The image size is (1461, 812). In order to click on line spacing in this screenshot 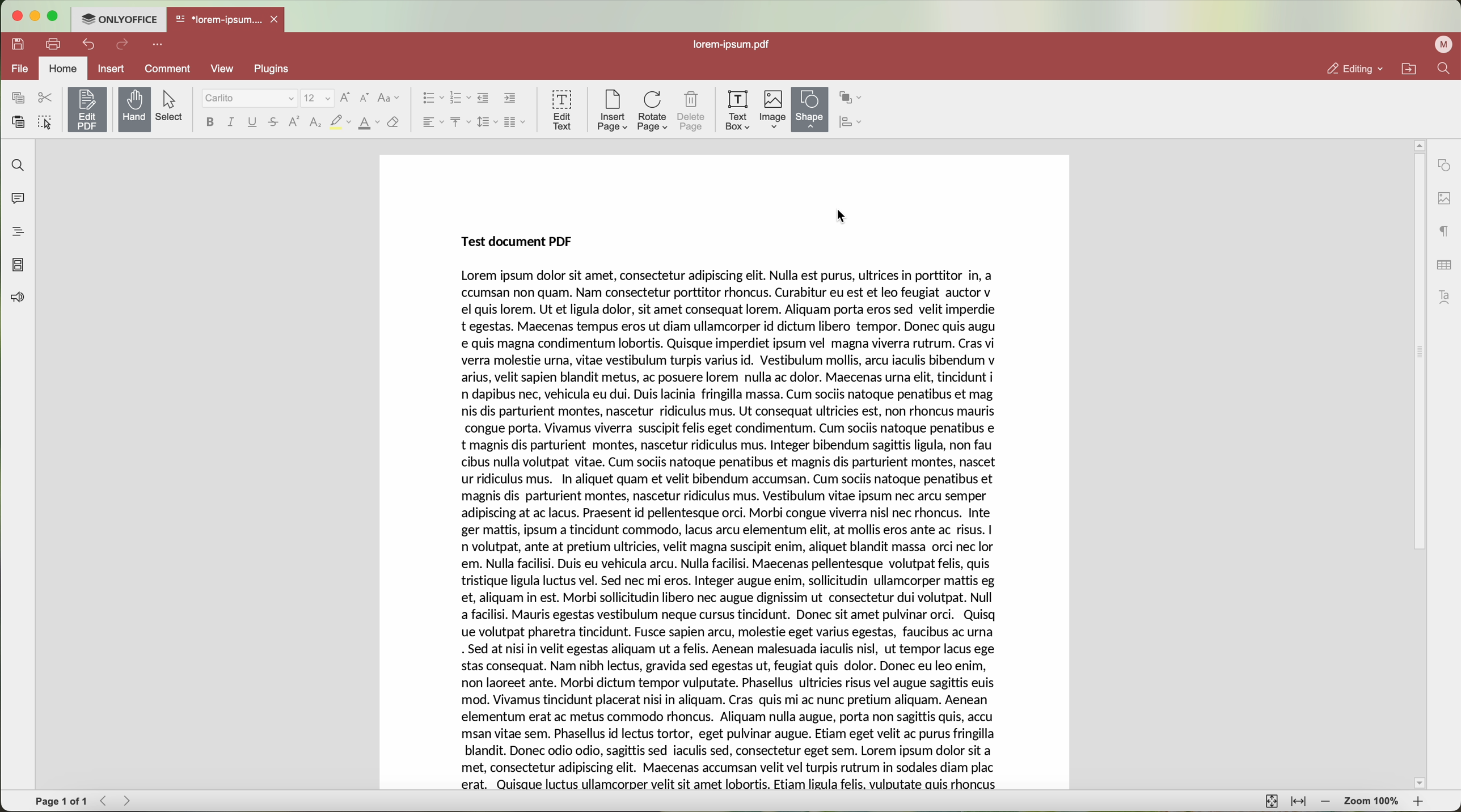, I will do `click(485, 122)`.